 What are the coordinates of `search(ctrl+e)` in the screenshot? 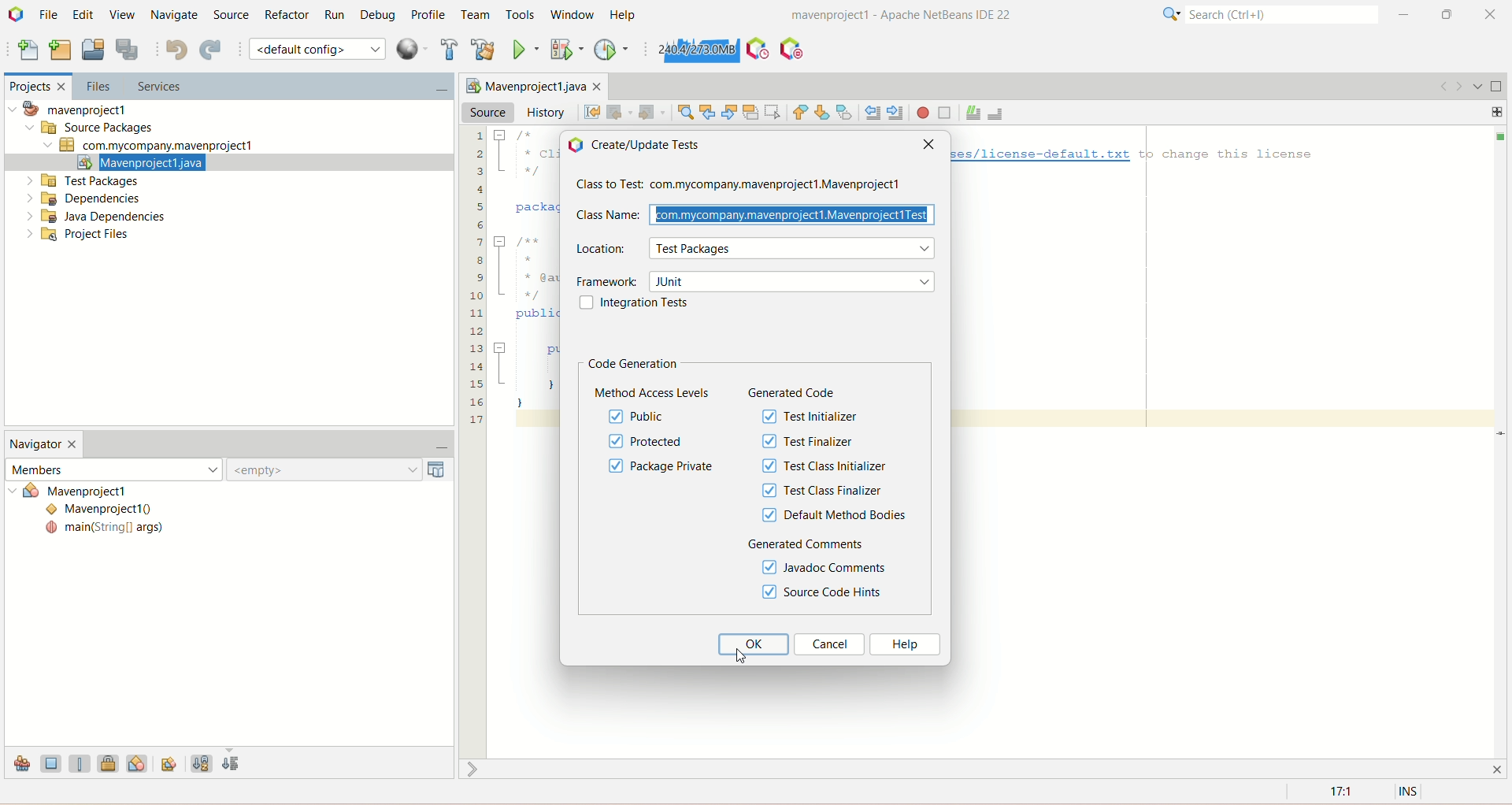 It's located at (1262, 15).